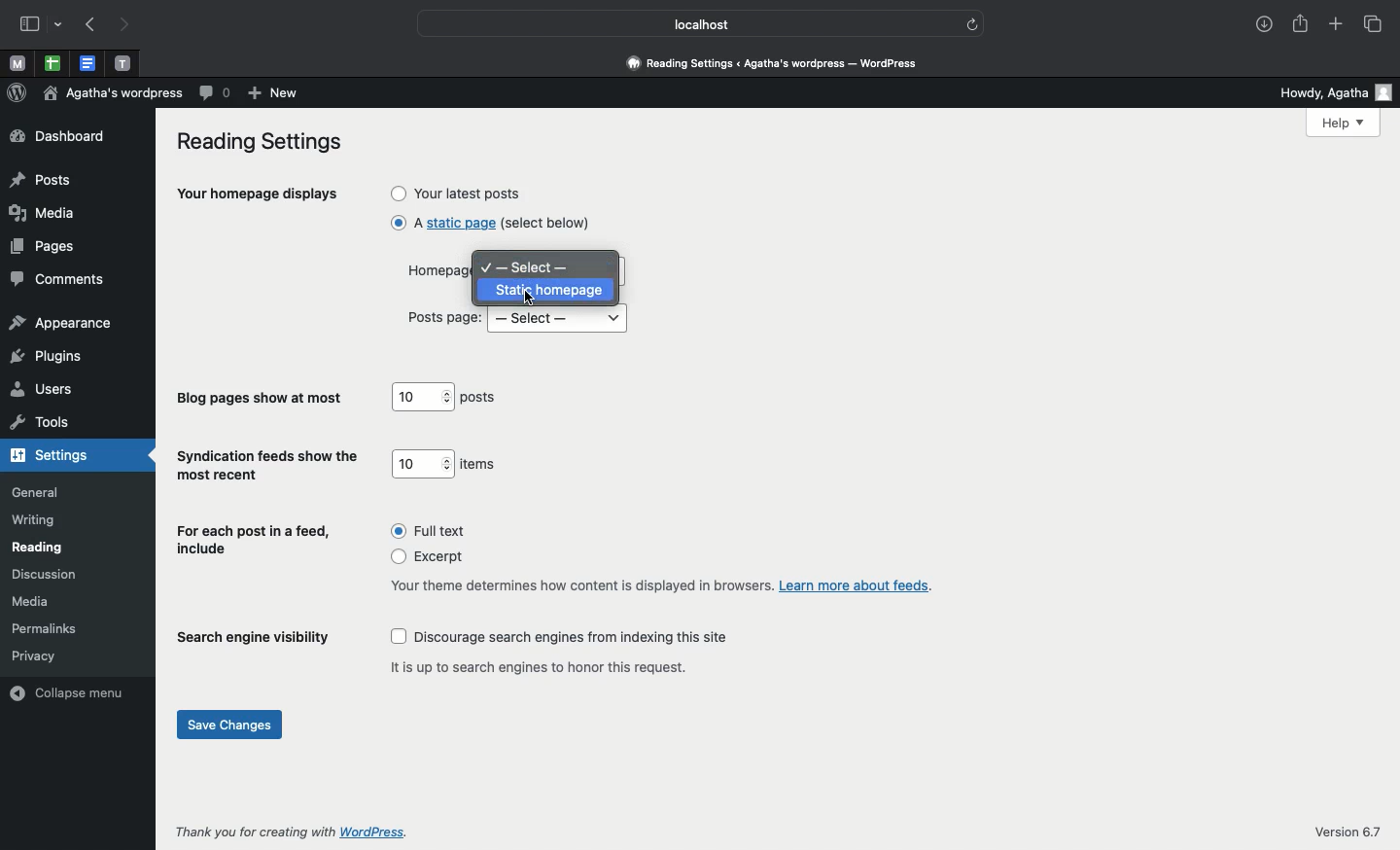 The height and width of the screenshot is (850, 1400). I want to click on 10, so click(423, 463).